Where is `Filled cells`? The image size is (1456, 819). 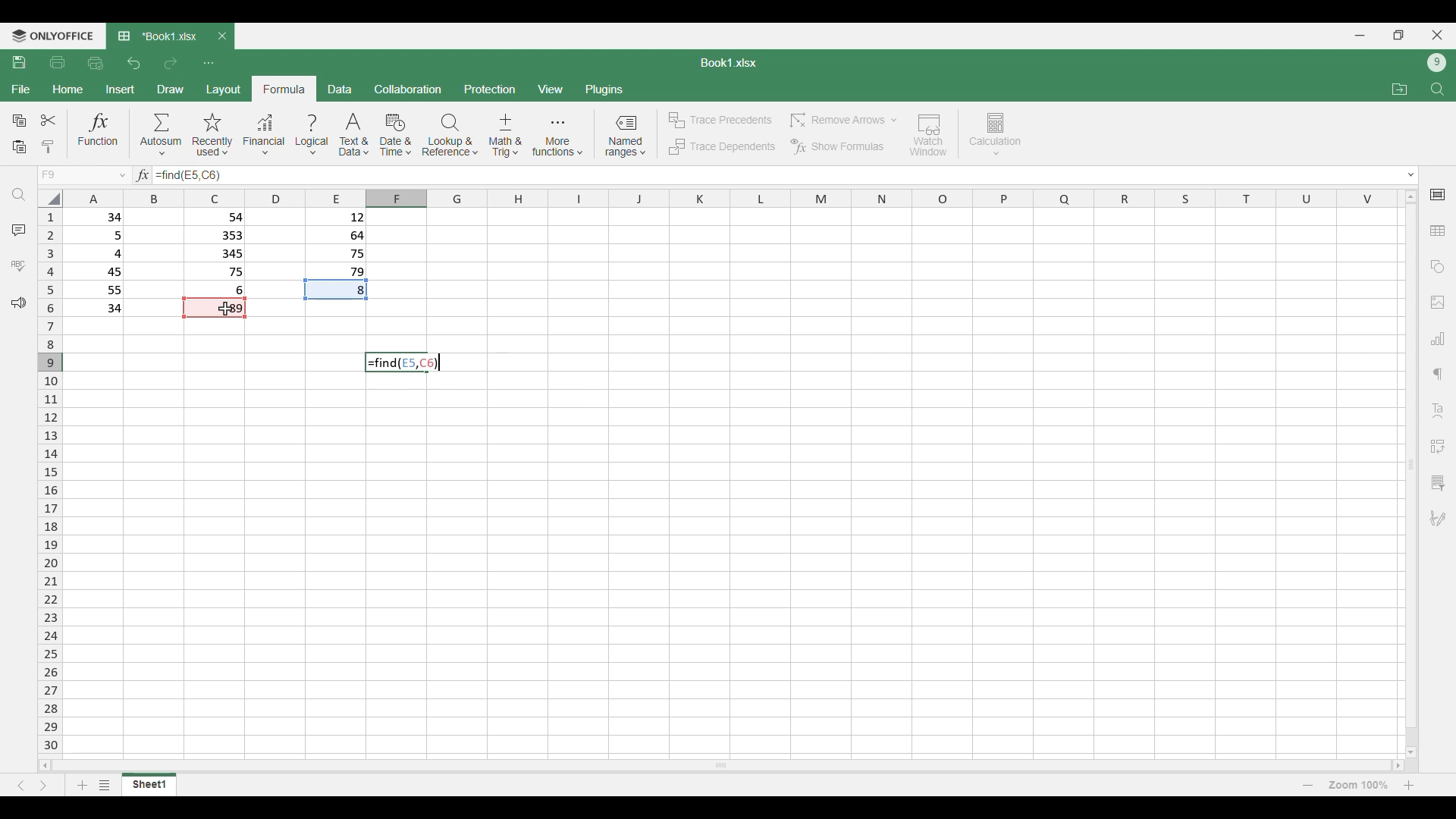 Filled cells is located at coordinates (218, 252).